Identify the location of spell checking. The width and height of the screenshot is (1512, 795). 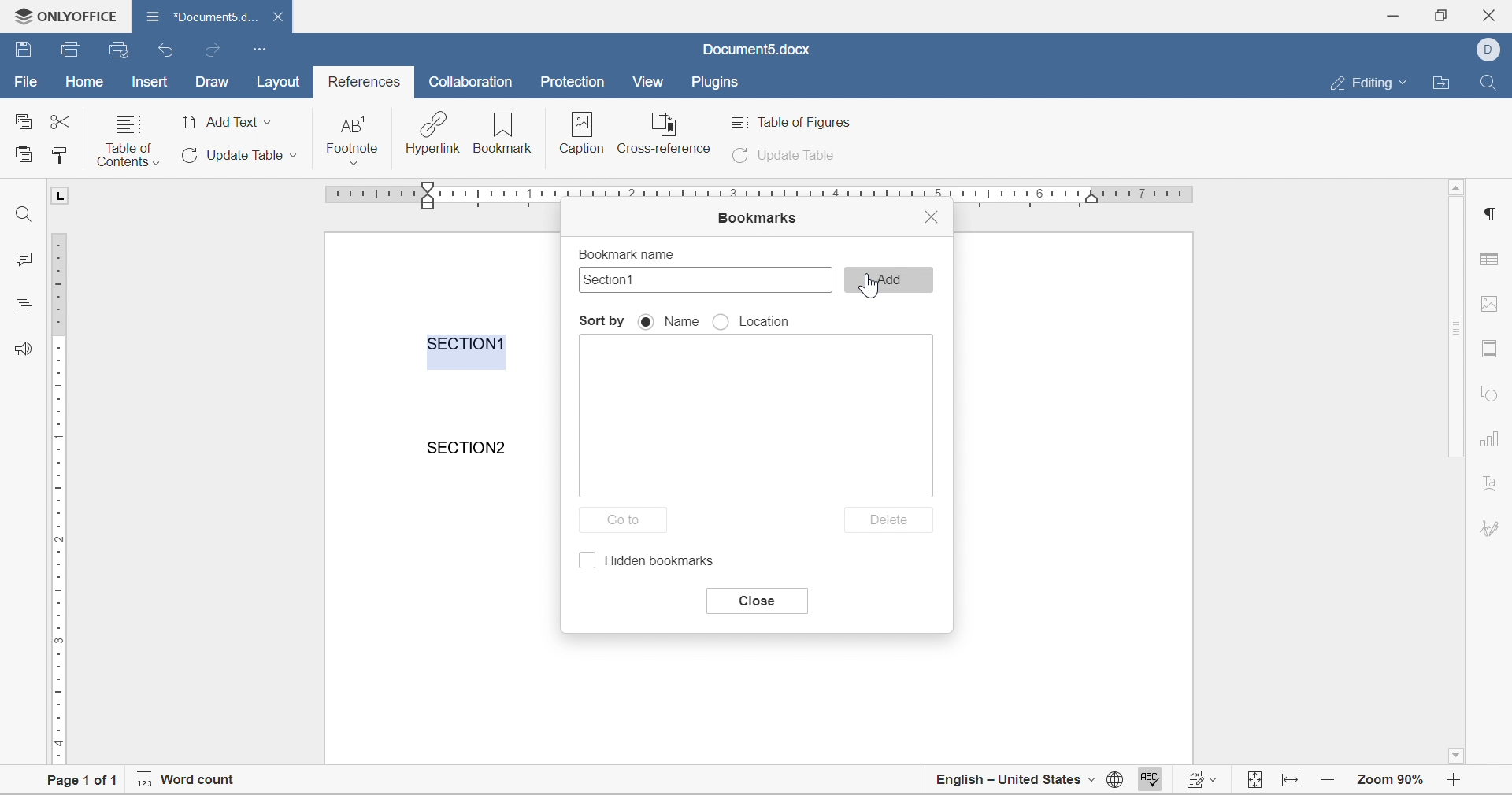
(1147, 782).